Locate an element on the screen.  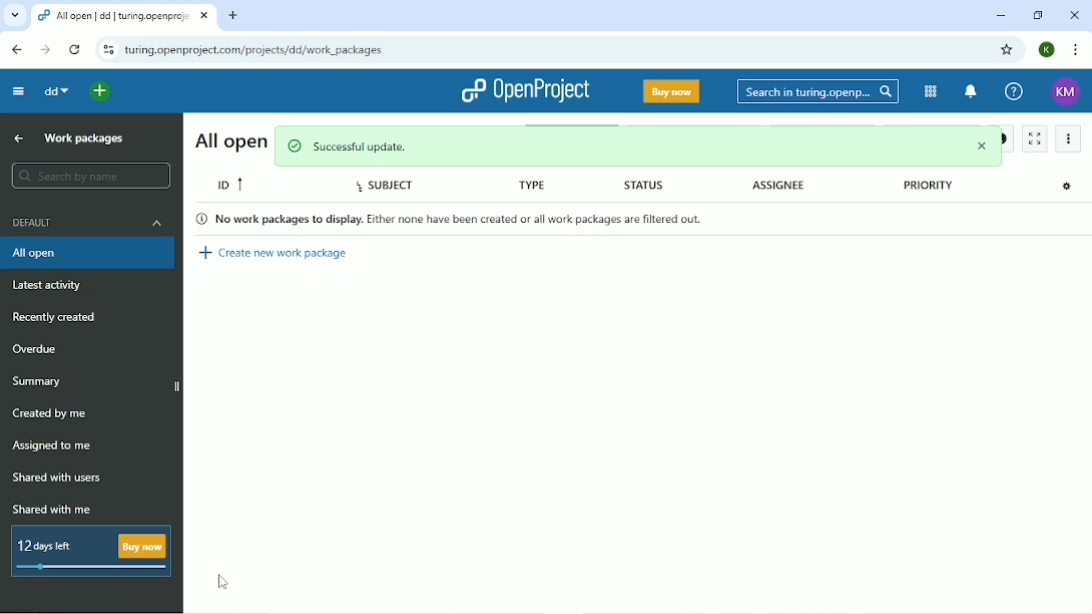
Up is located at coordinates (16, 138).